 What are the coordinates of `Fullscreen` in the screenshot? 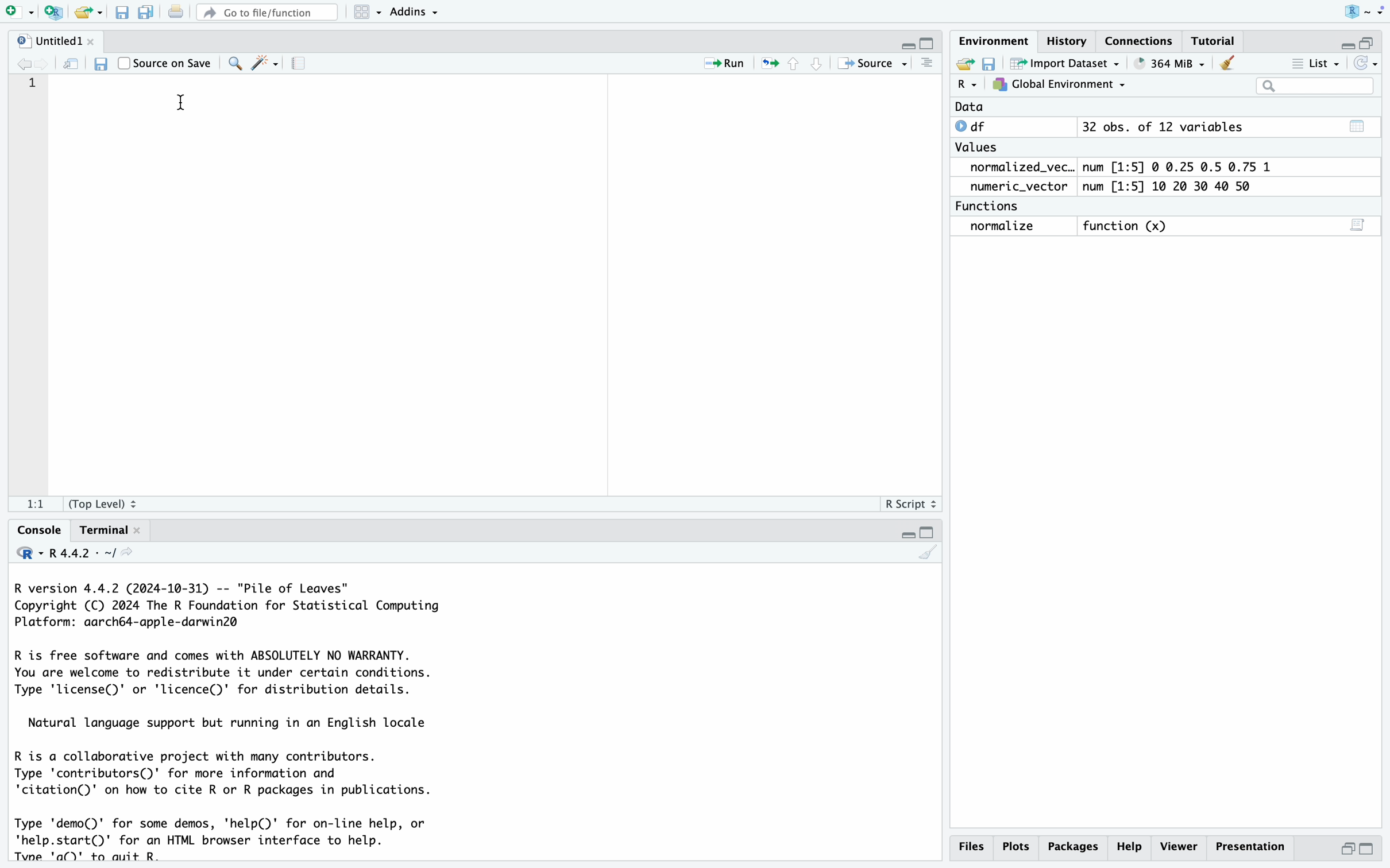 It's located at (914, 533).